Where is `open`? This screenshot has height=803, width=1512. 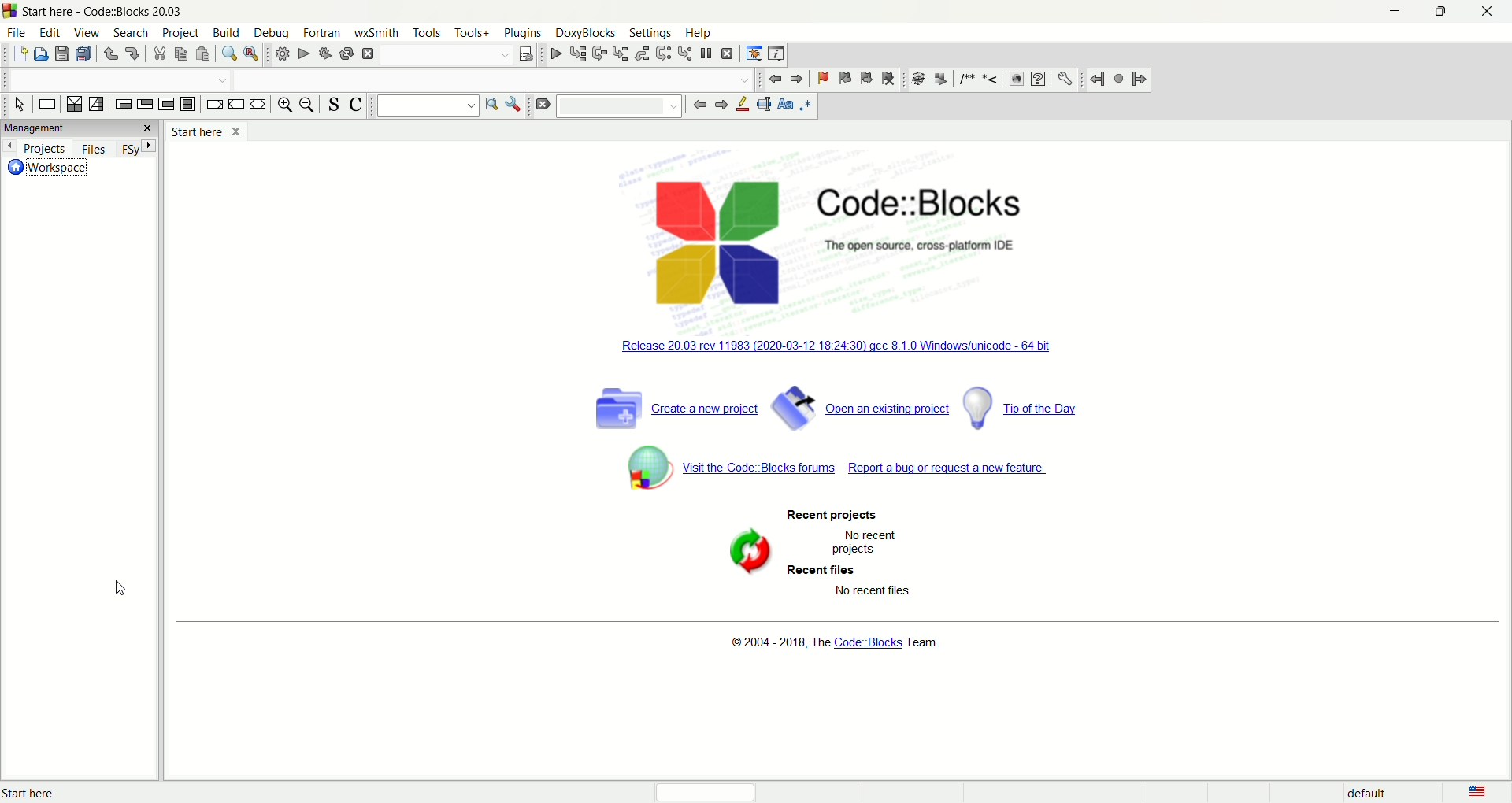 open is located at coordinates (39, 54).